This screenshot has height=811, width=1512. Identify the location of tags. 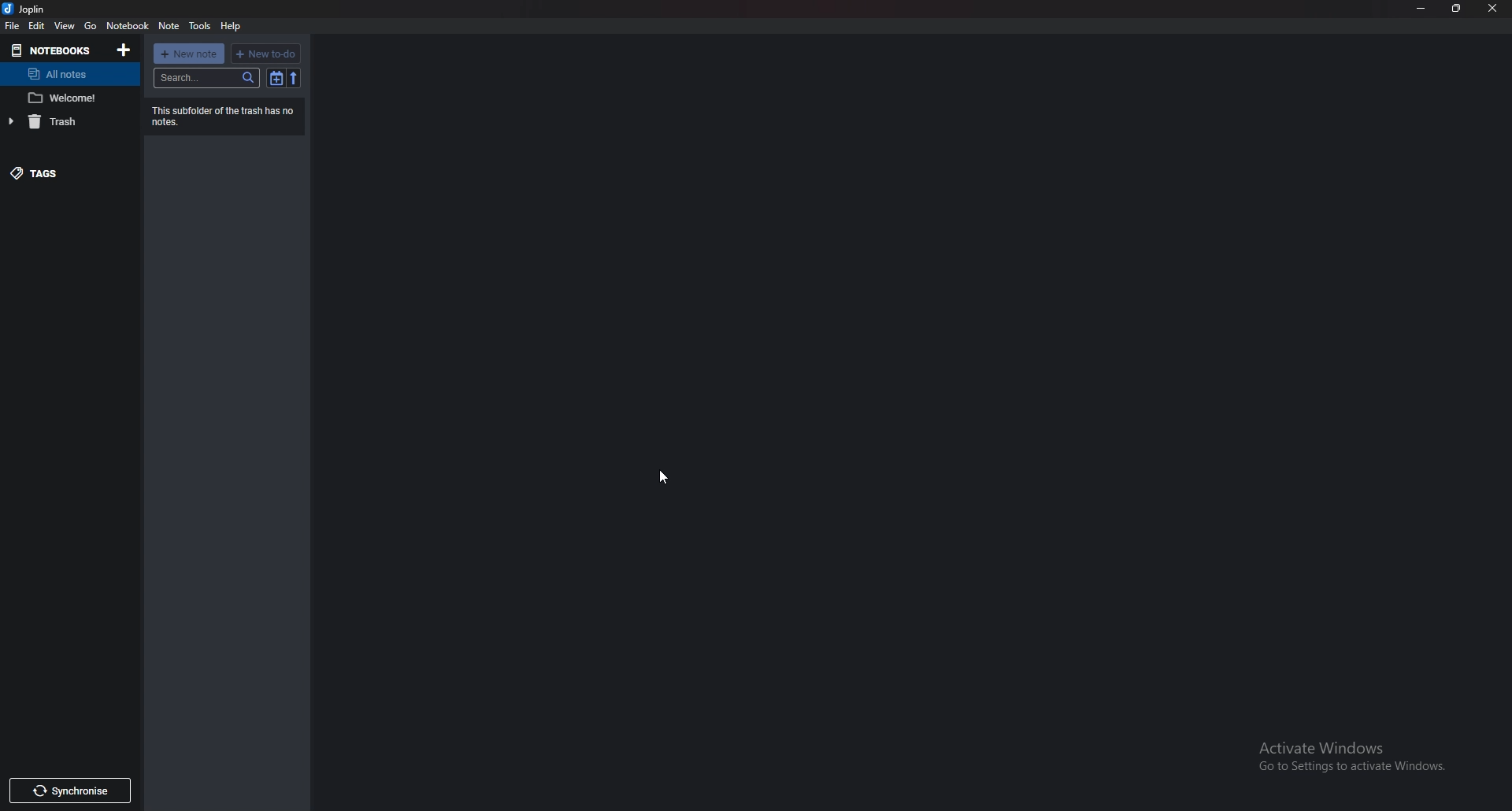
(60, 174).